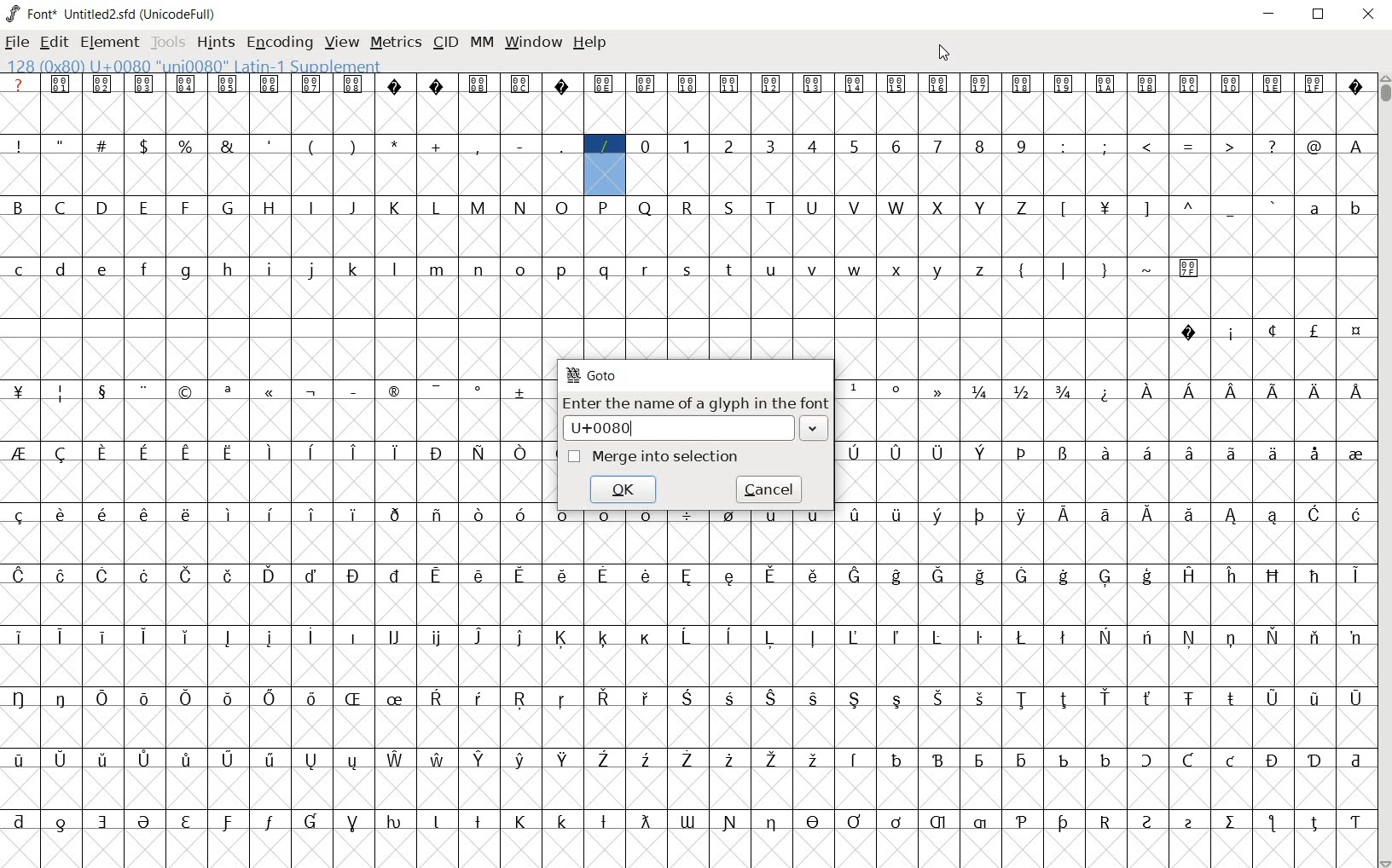 The image size is (1392, 868). What do you see at coordinates (575, 457) in the screenshot?
I see `checkbox` at bounding box center [575, 457].